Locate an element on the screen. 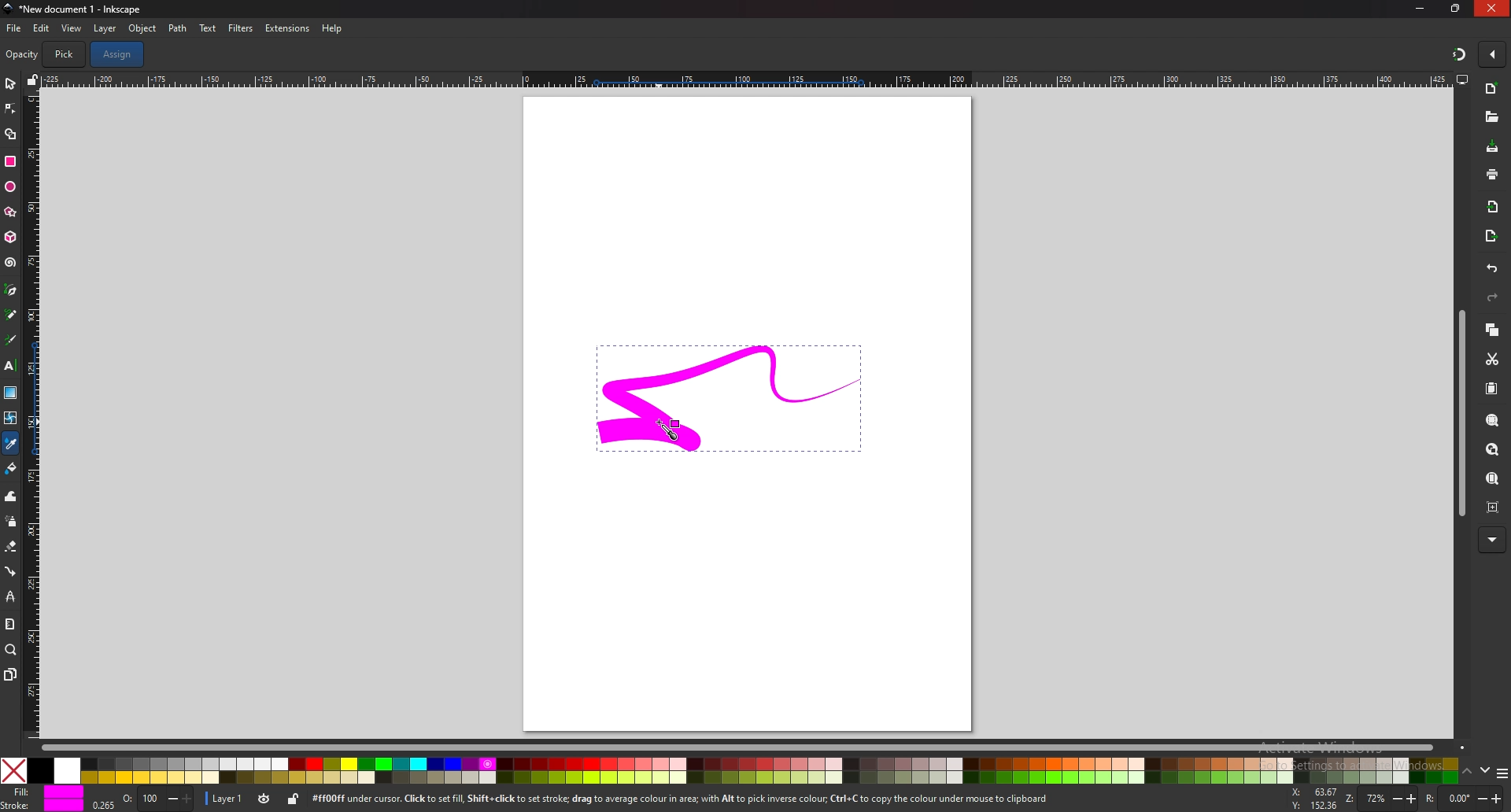 The height and width of the screenshot is (812, 1511). more colors is located at coordinates (1502, 773).